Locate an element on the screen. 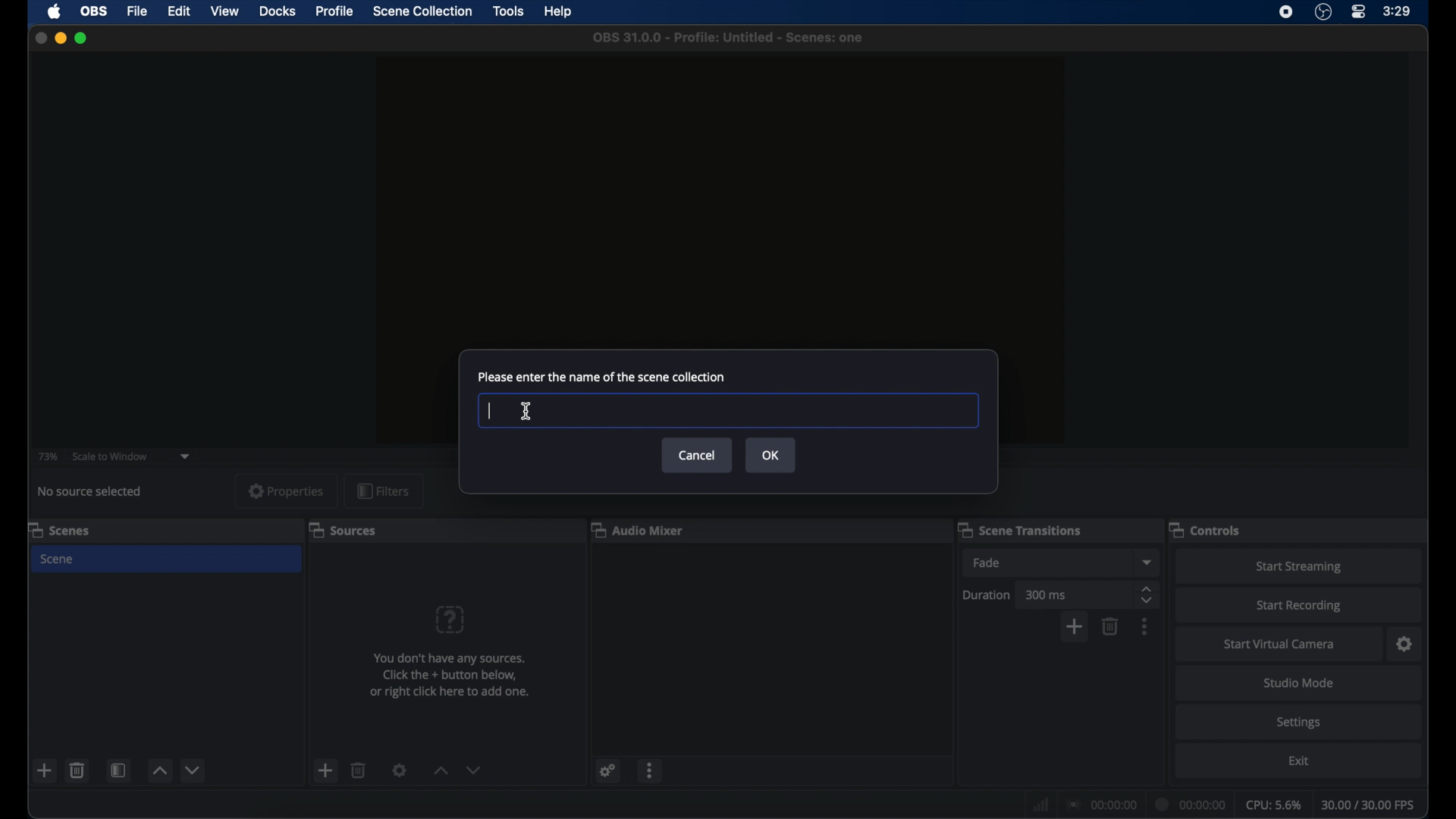  add is located at coordinates (325, 770).